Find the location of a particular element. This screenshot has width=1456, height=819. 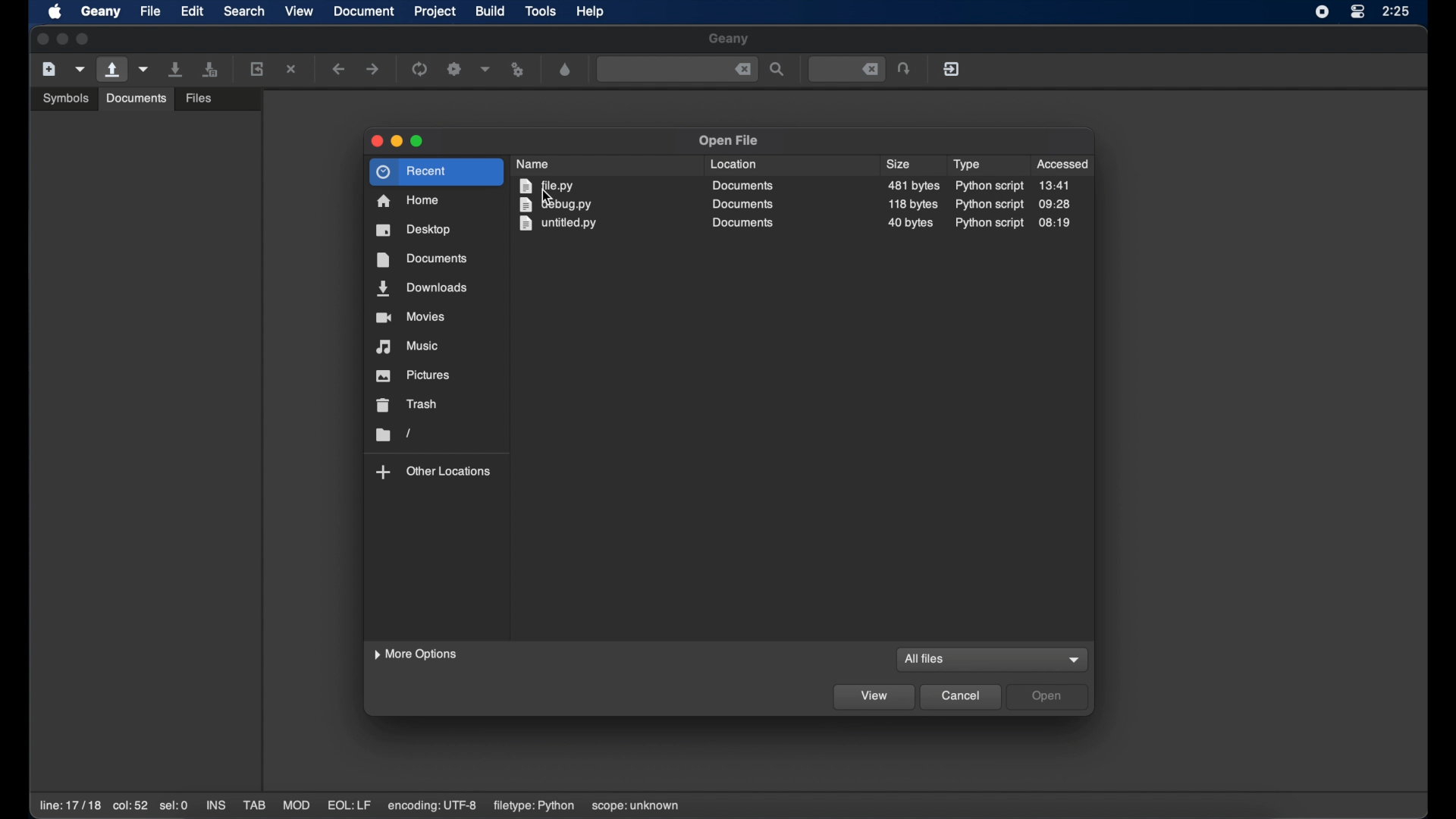

screen recorder icon is located at coordinates (1323, 11).